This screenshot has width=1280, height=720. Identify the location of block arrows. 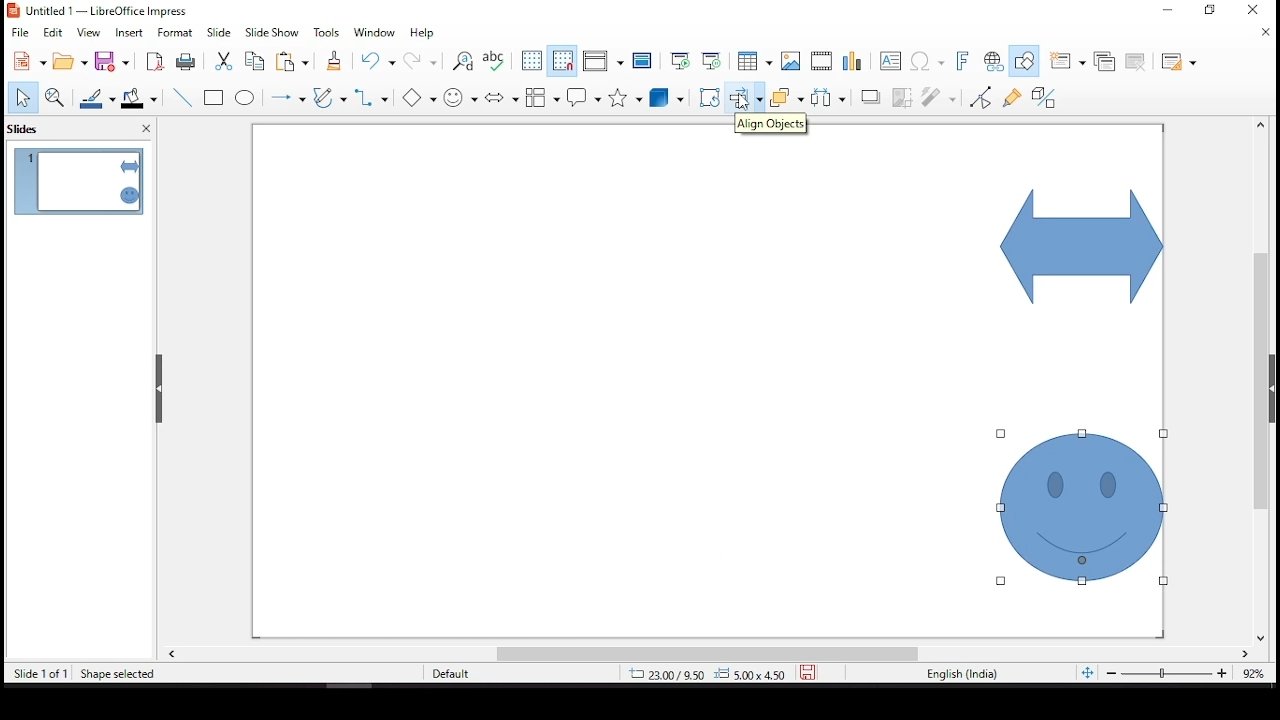
(500, 94).